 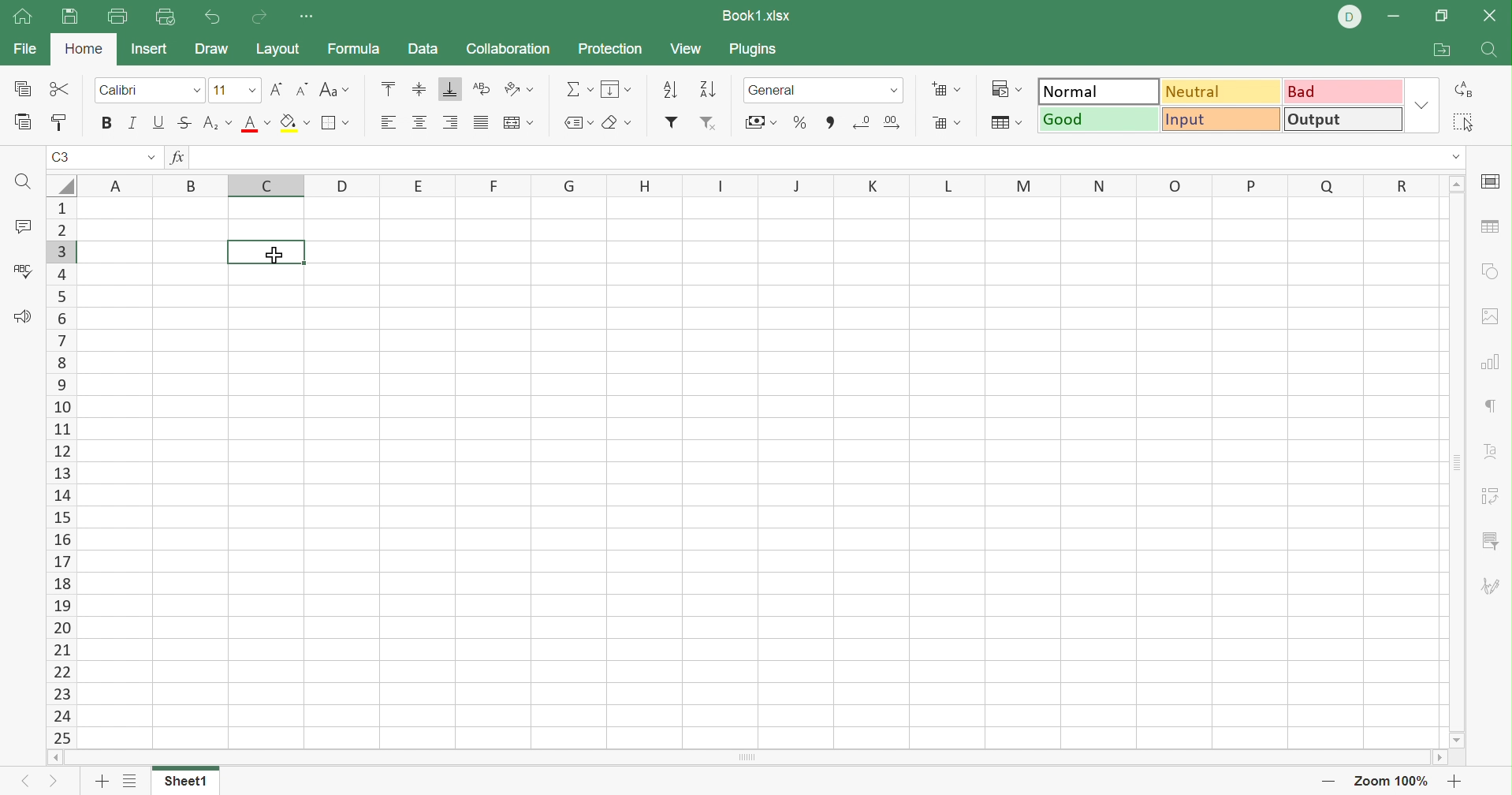 What do you see at coordinates (690, 49) in the screenshot?
I see `View` at bounding box center [690, 49].